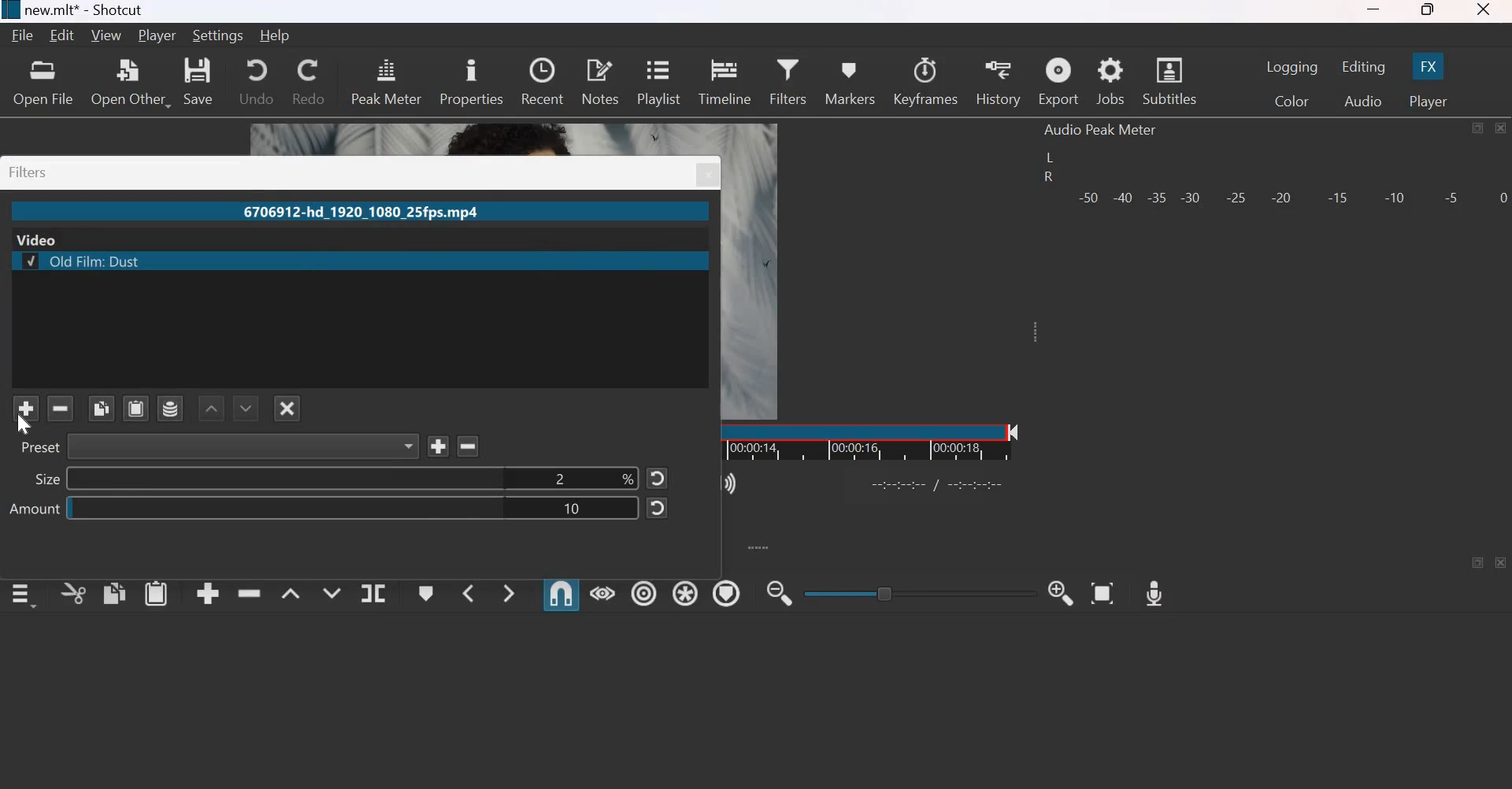  What do you see at coordinates (1155, 594) in the screenshot?
I see `Record Audio` at bounding box center [1155, 594].